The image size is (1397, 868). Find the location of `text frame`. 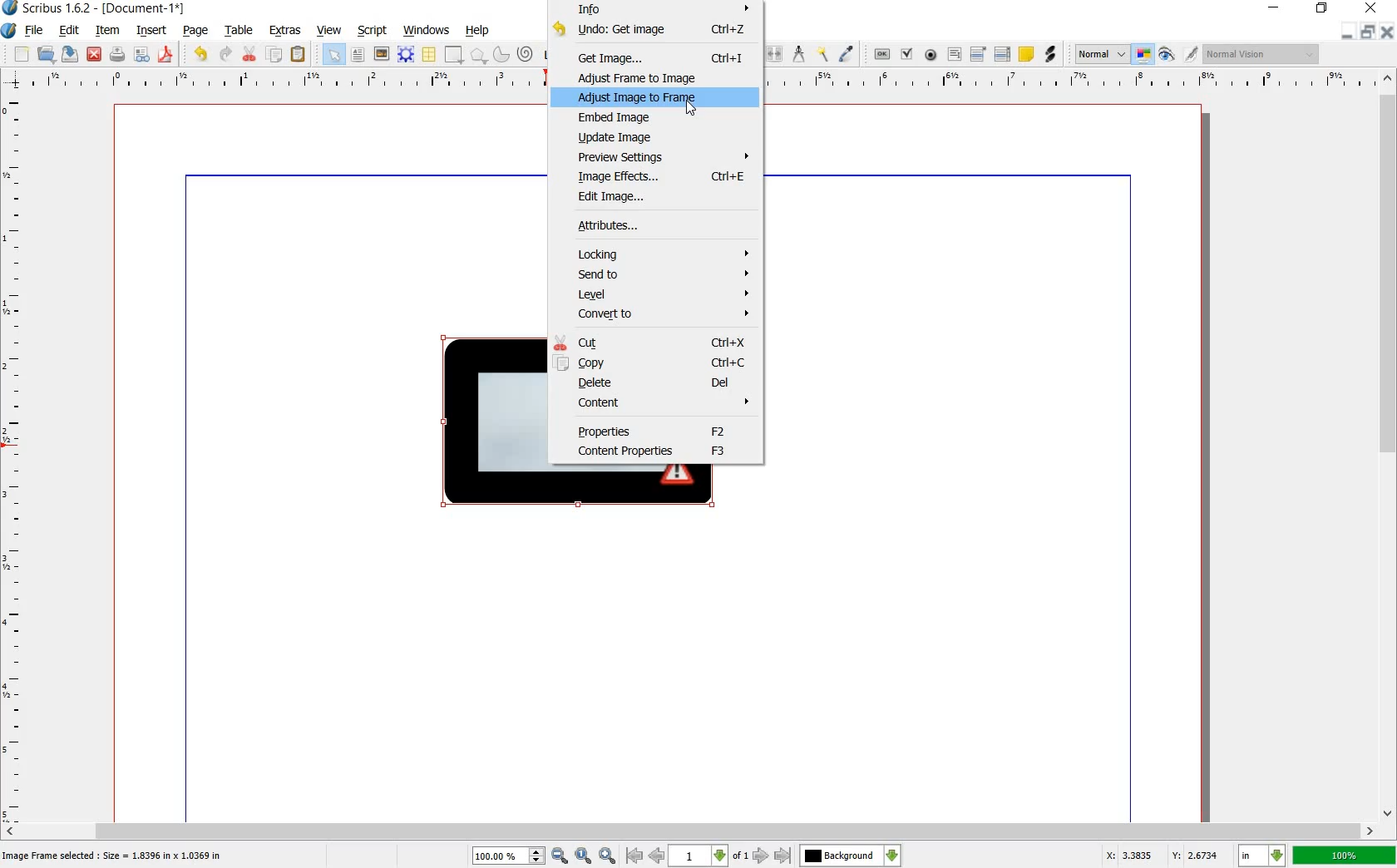

text frame is located at coordinates (357, 55).